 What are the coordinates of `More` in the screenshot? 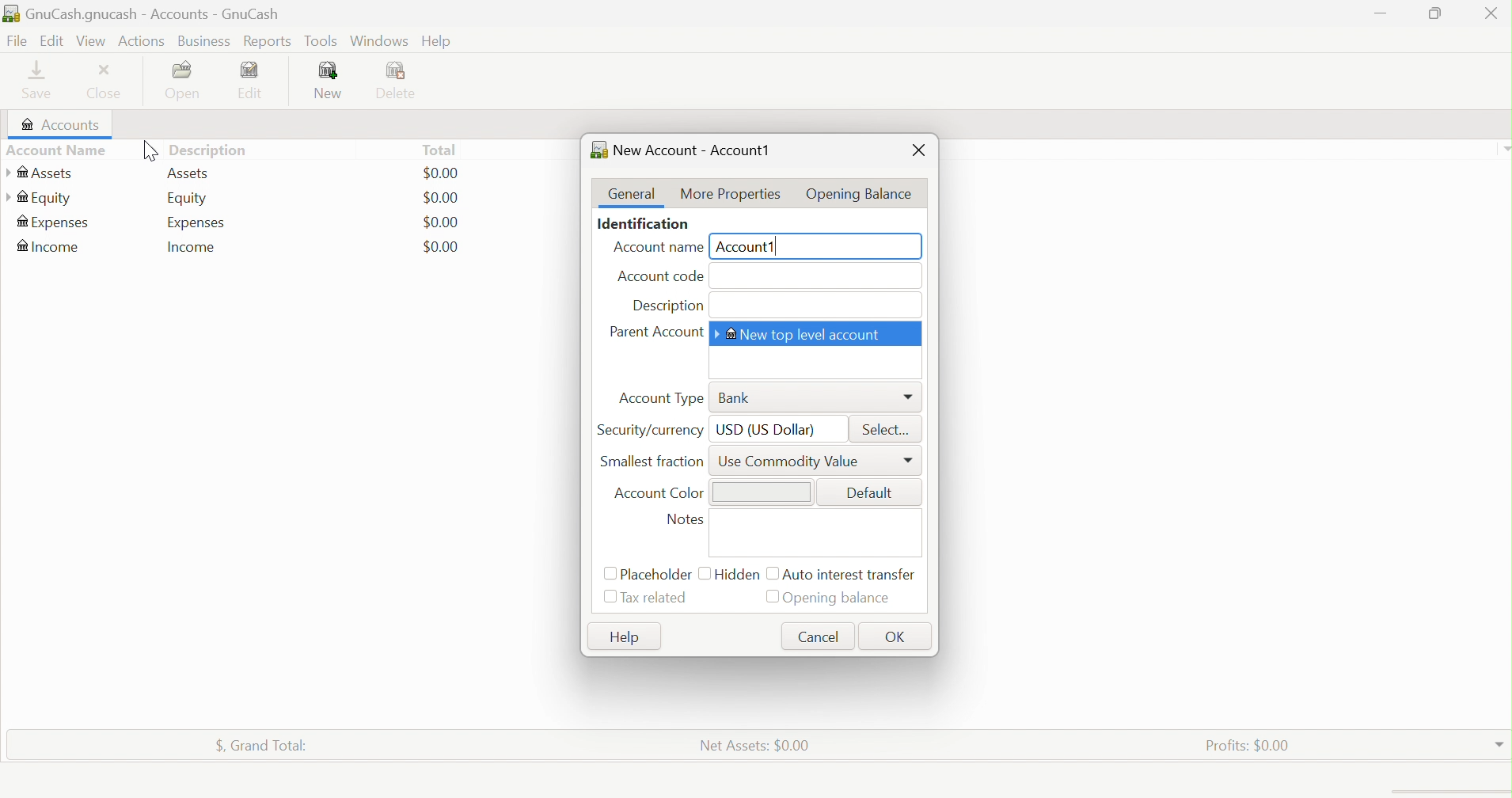 It's located at (910, 397).